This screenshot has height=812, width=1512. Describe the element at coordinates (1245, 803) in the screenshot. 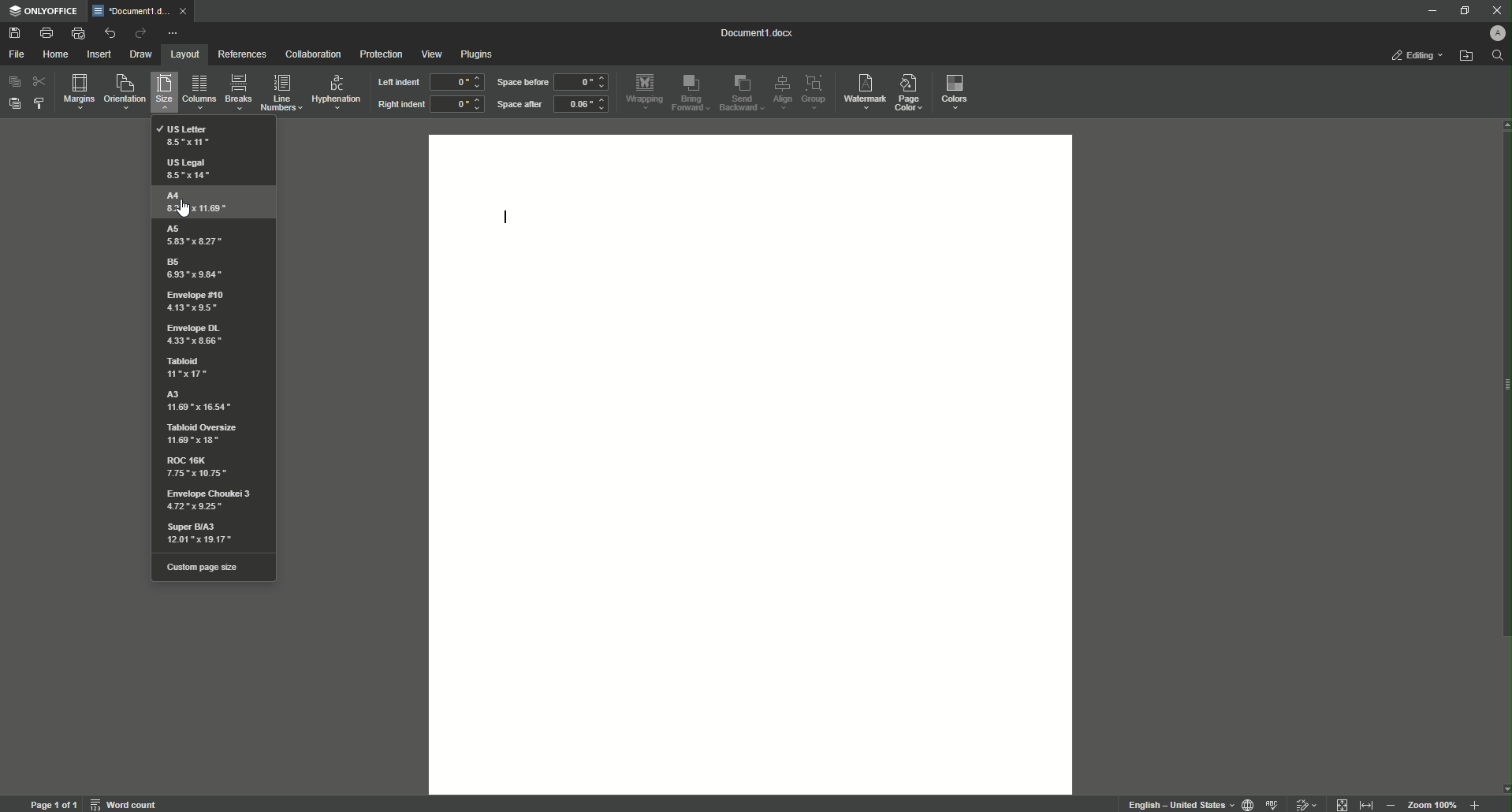

I see `Document Language` at that location.